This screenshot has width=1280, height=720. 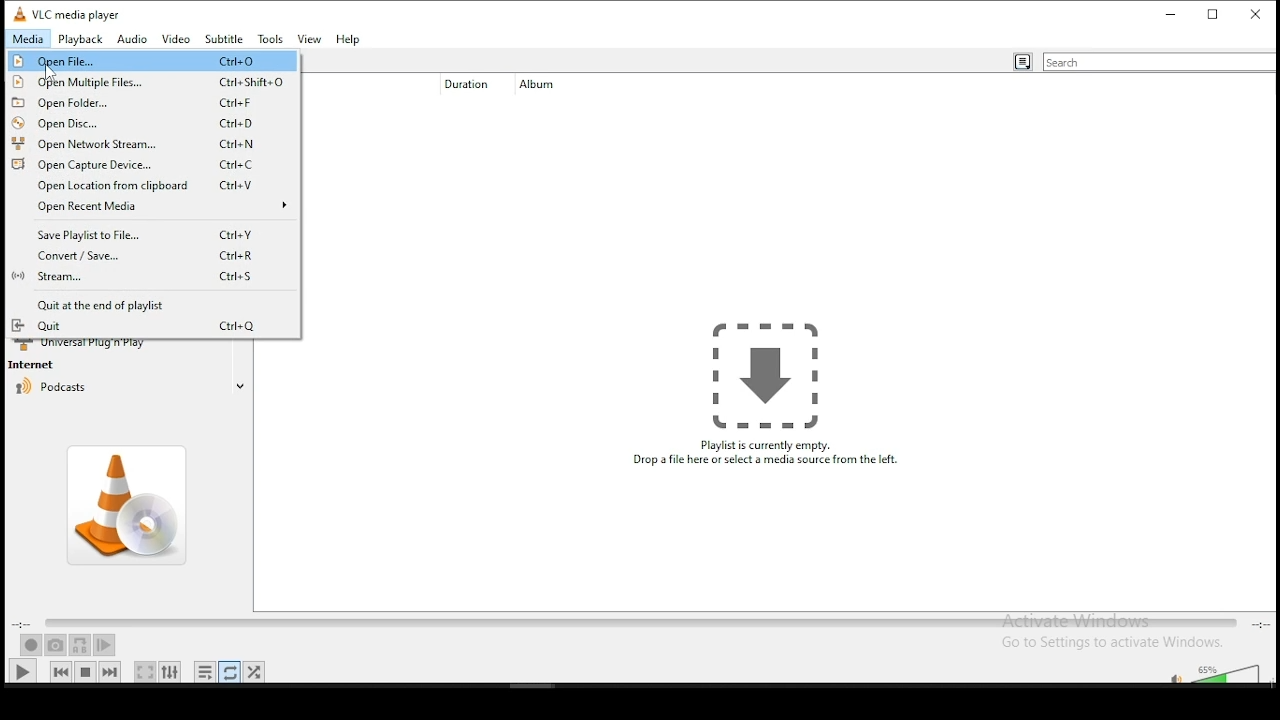 I want to click on vlc icon, so click(x=16, y=12).